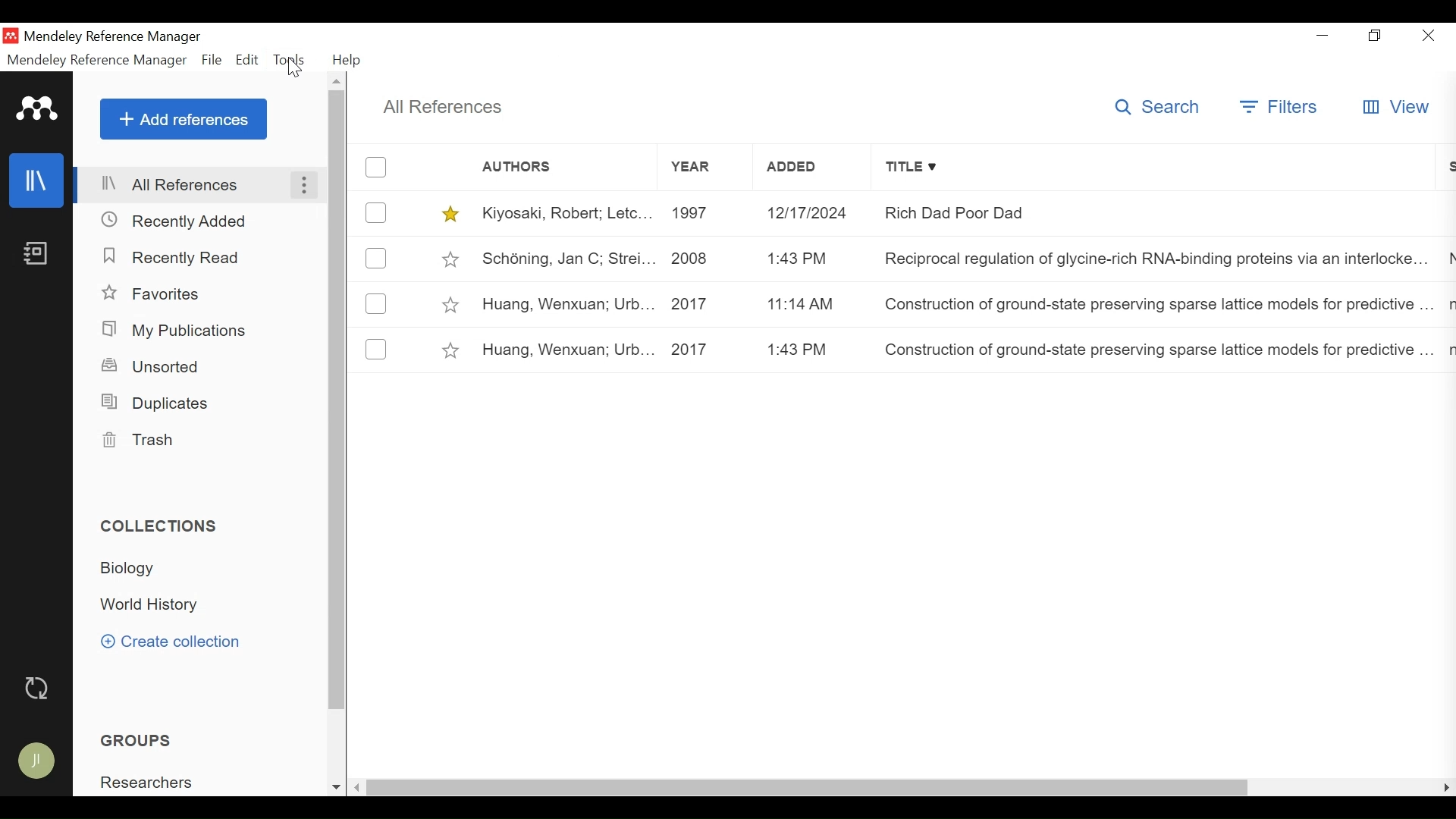 This screenshot has height=819, width=1456. Describe the element at coordinates (570, 214) in the screenshot. I see `Kiyosaki, Robert` at that location.